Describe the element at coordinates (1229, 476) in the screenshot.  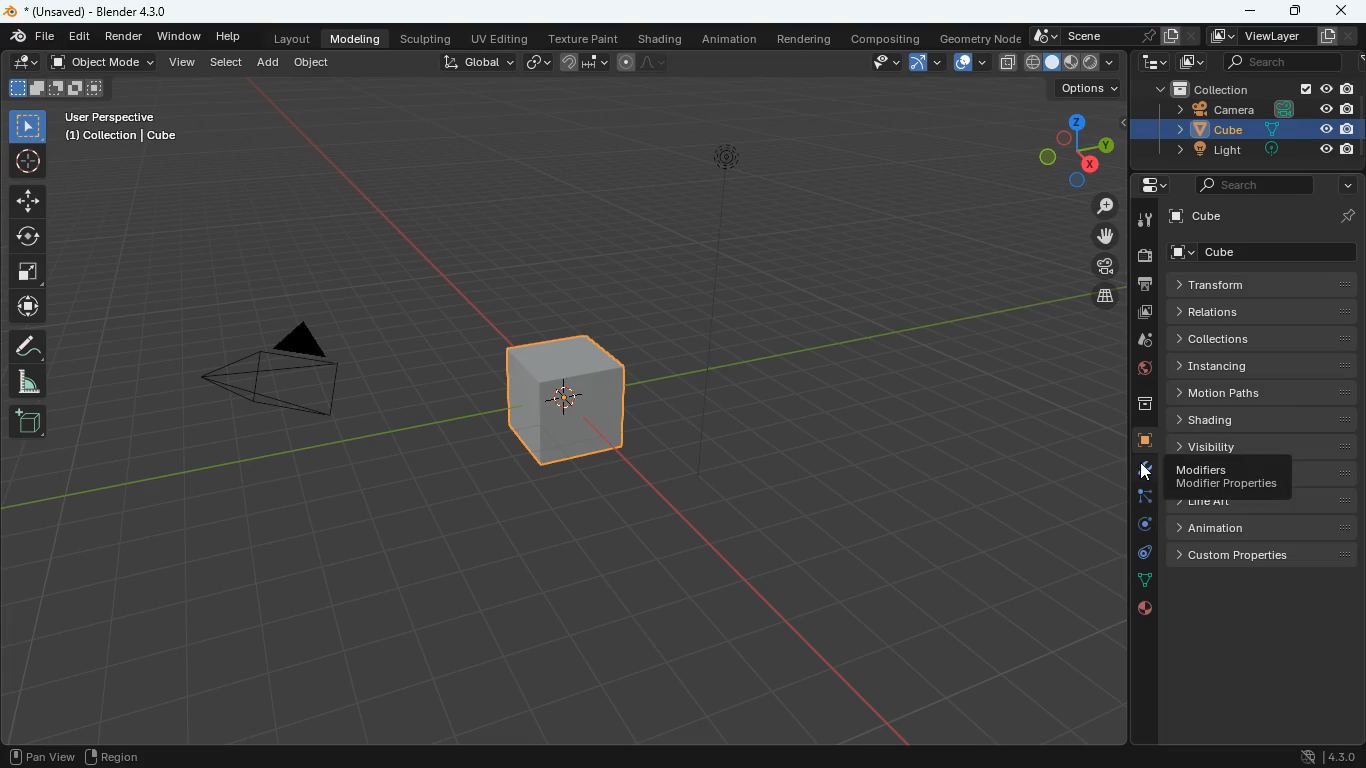
I see `modifiers` at that location.